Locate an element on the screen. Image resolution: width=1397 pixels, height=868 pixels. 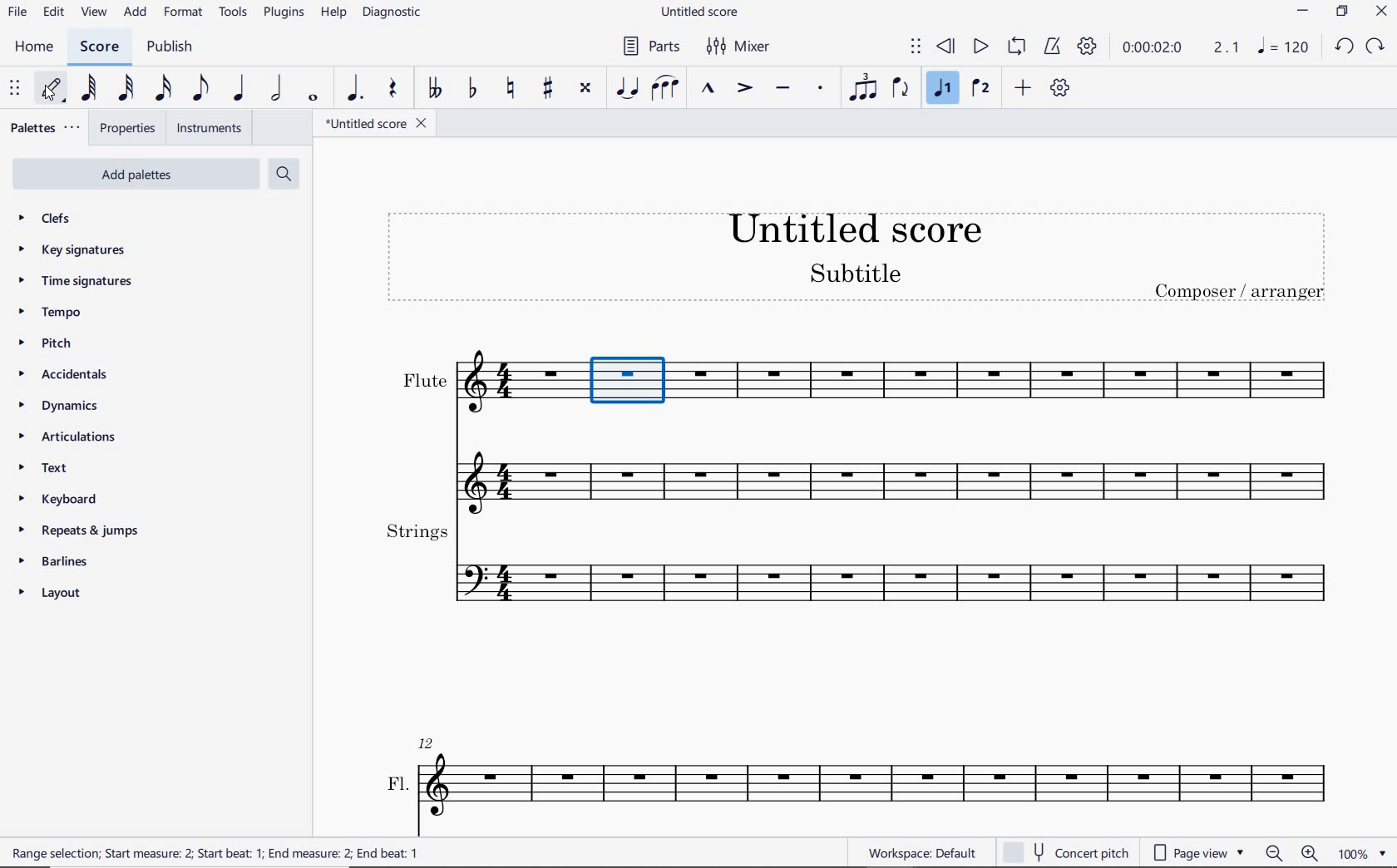
TOGGLE SHARP is located at coordinates (548, 86).